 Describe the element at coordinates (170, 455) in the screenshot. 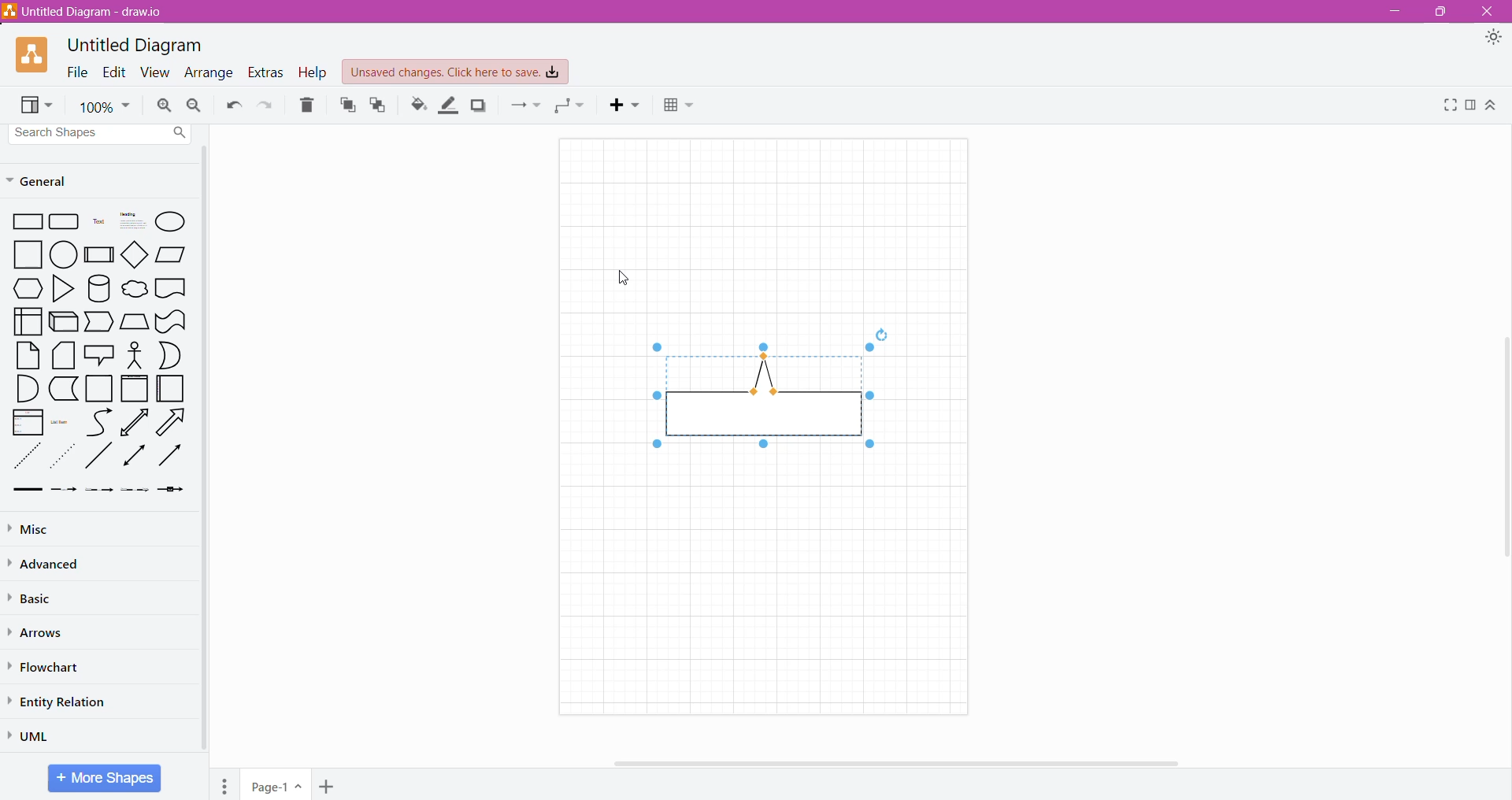

I see `Rightward Thick Arrow` at that location.